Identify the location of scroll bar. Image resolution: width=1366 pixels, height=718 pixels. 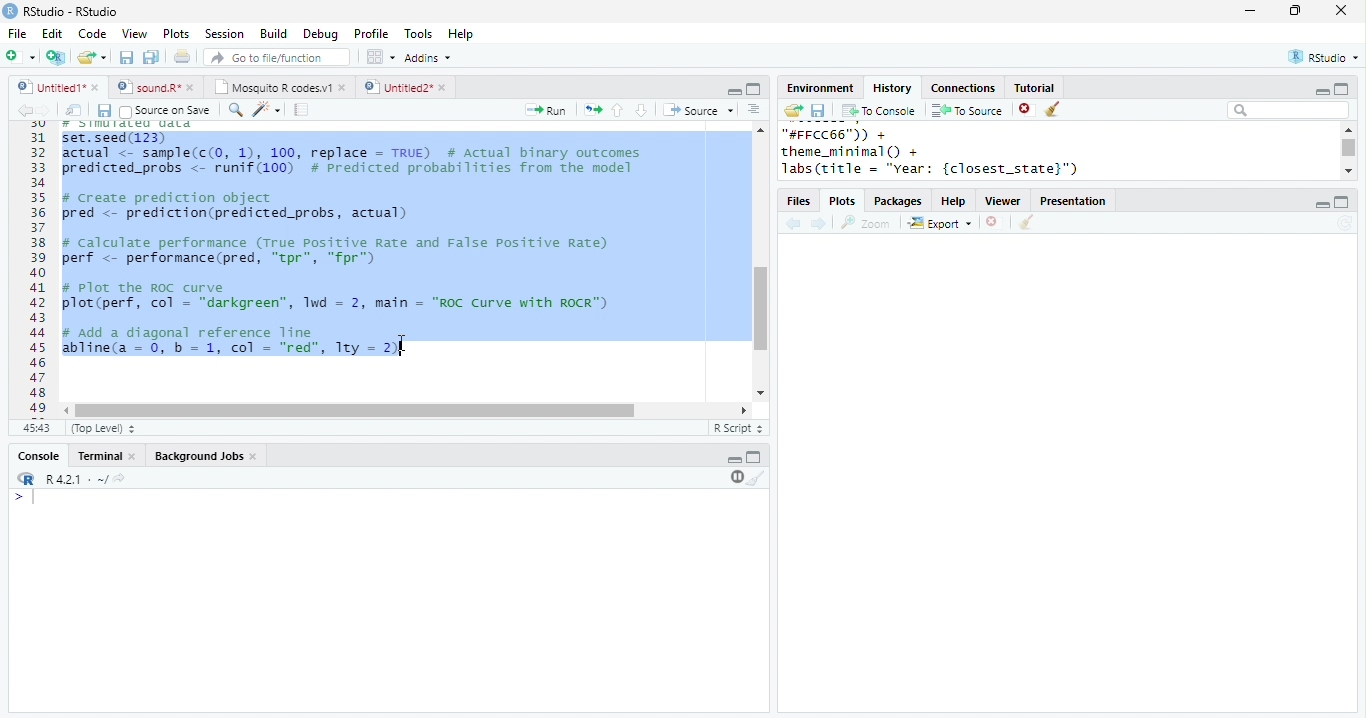
(355, 411).